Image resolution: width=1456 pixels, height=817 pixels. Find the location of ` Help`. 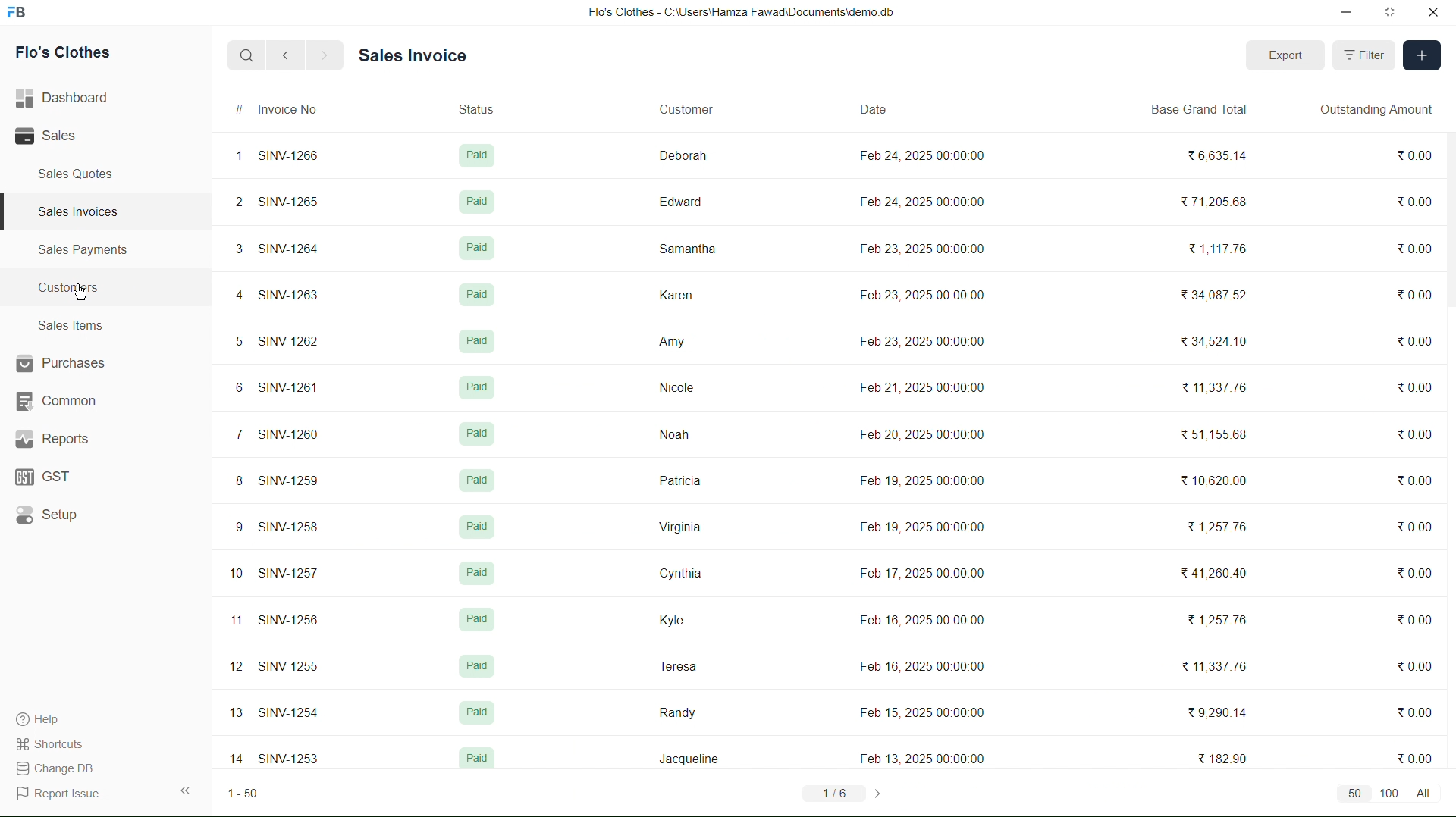

 Help is located at coordinates (45, 717).